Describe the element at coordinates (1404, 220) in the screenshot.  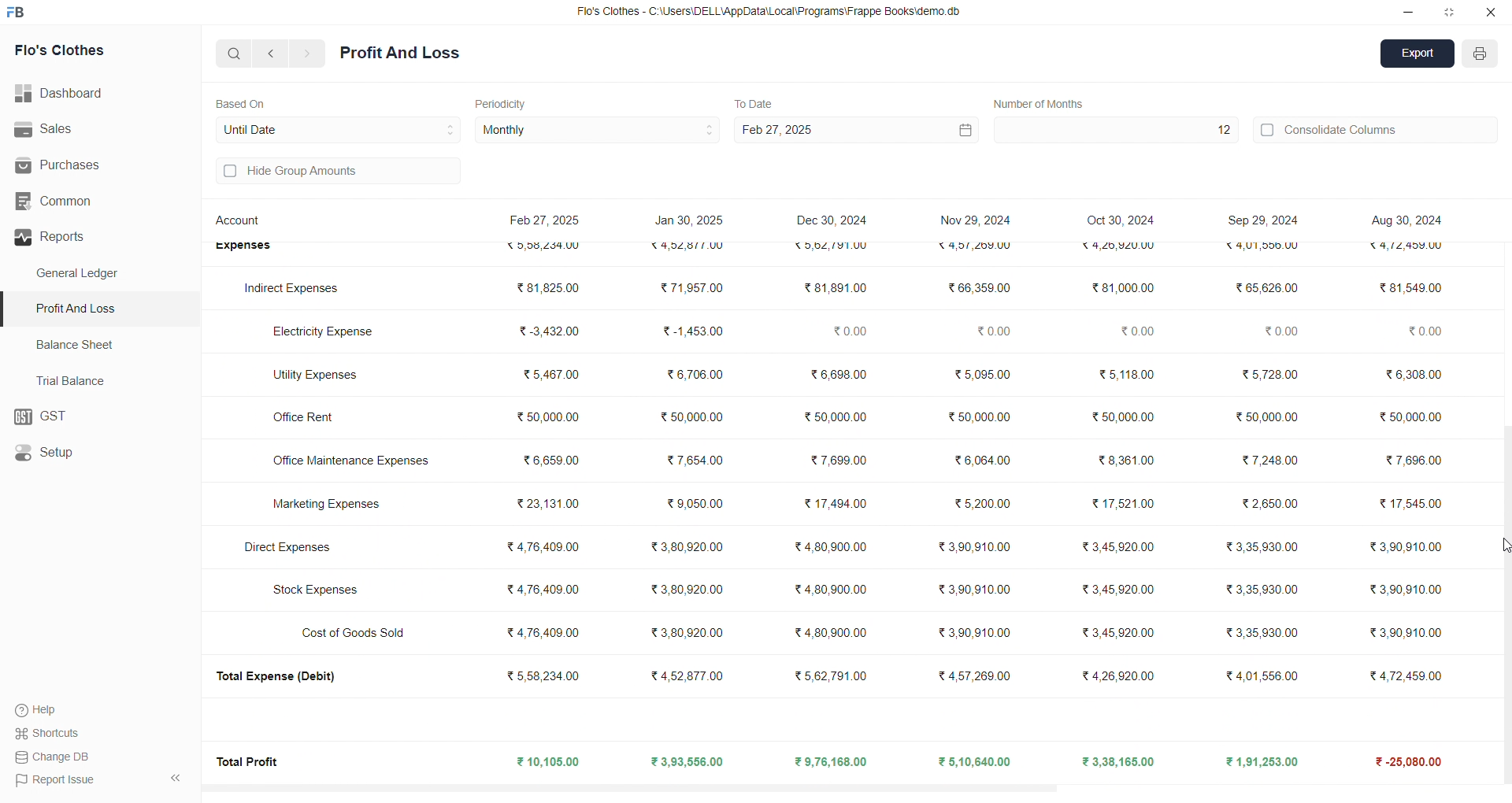
I see `Aug 30, 2024` at that location.